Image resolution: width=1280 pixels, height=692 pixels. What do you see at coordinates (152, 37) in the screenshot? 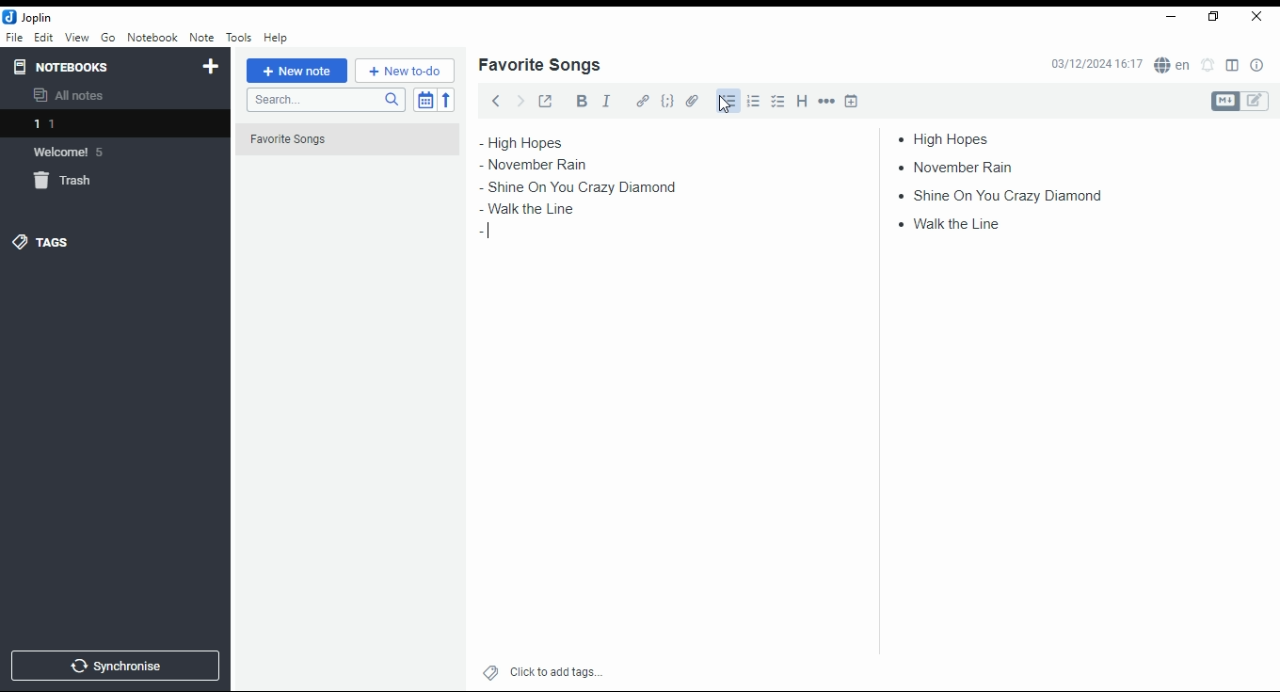
I see `notebook` at bounding box center [152, 37].